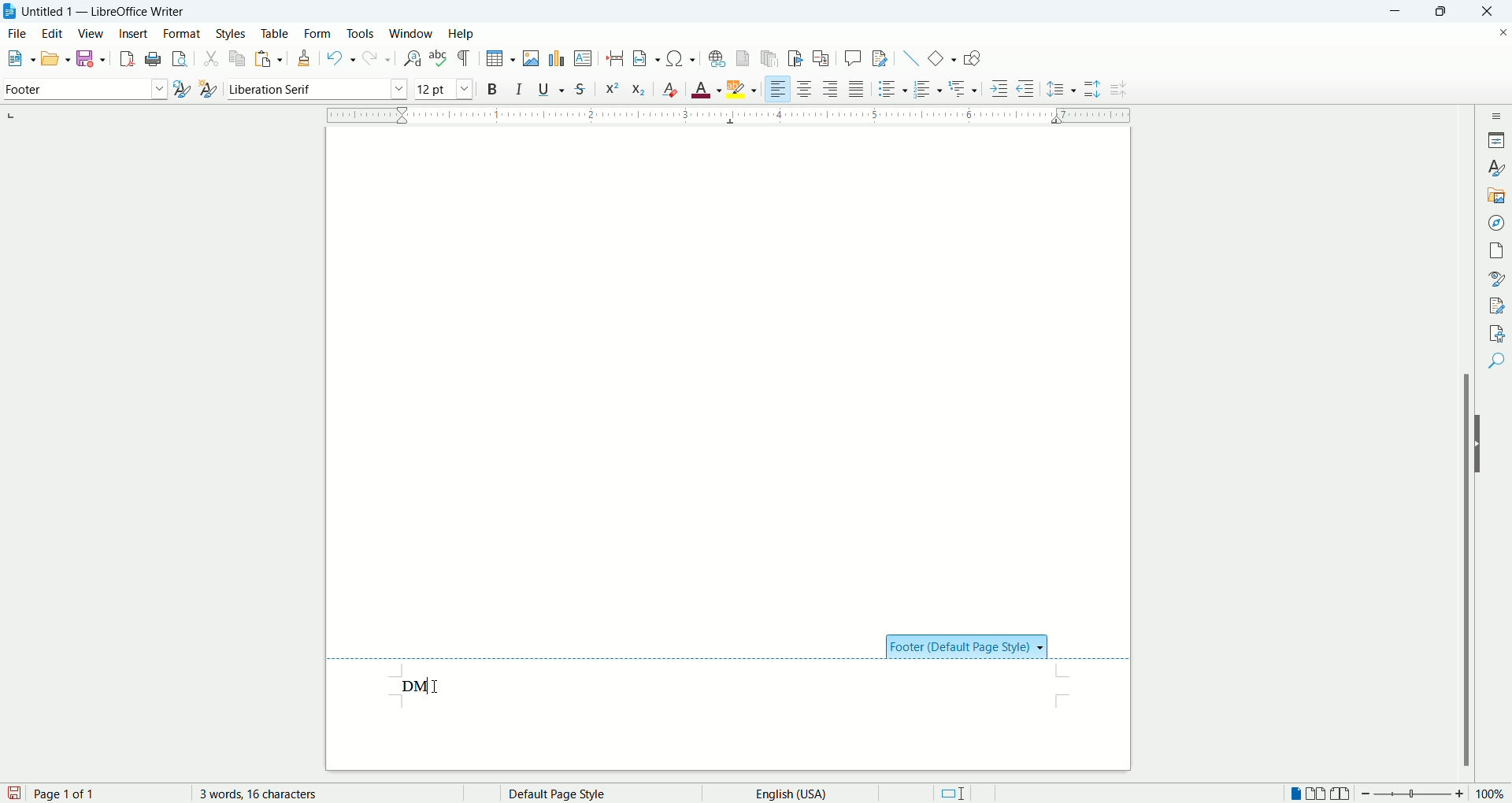  What do you see at coordinates (1025, 88) in the screenshot?
I see `decrease indent` at bounding box center [1025, 88].